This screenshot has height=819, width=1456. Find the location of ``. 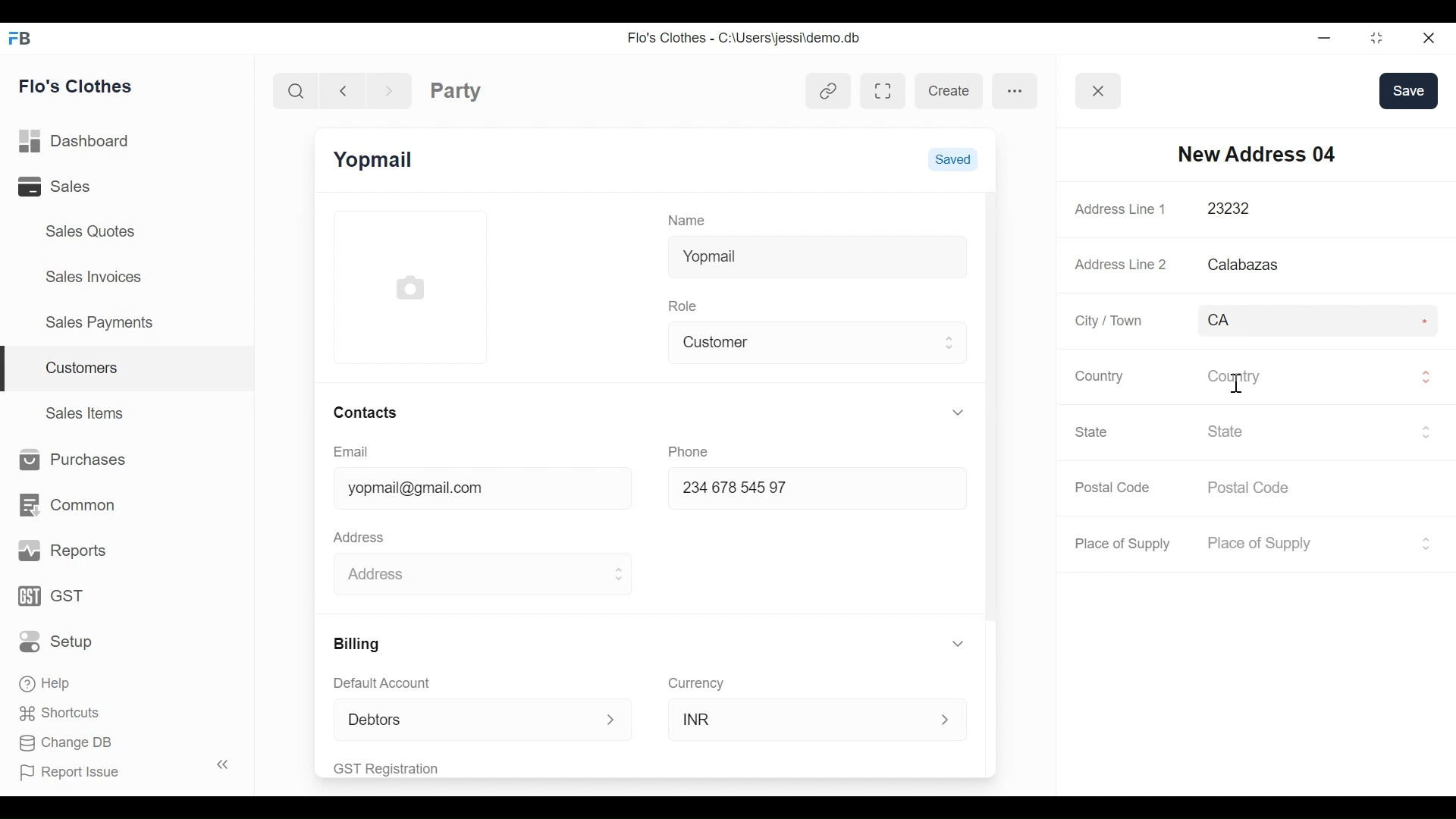

 is located at coordinates (1099, 91).